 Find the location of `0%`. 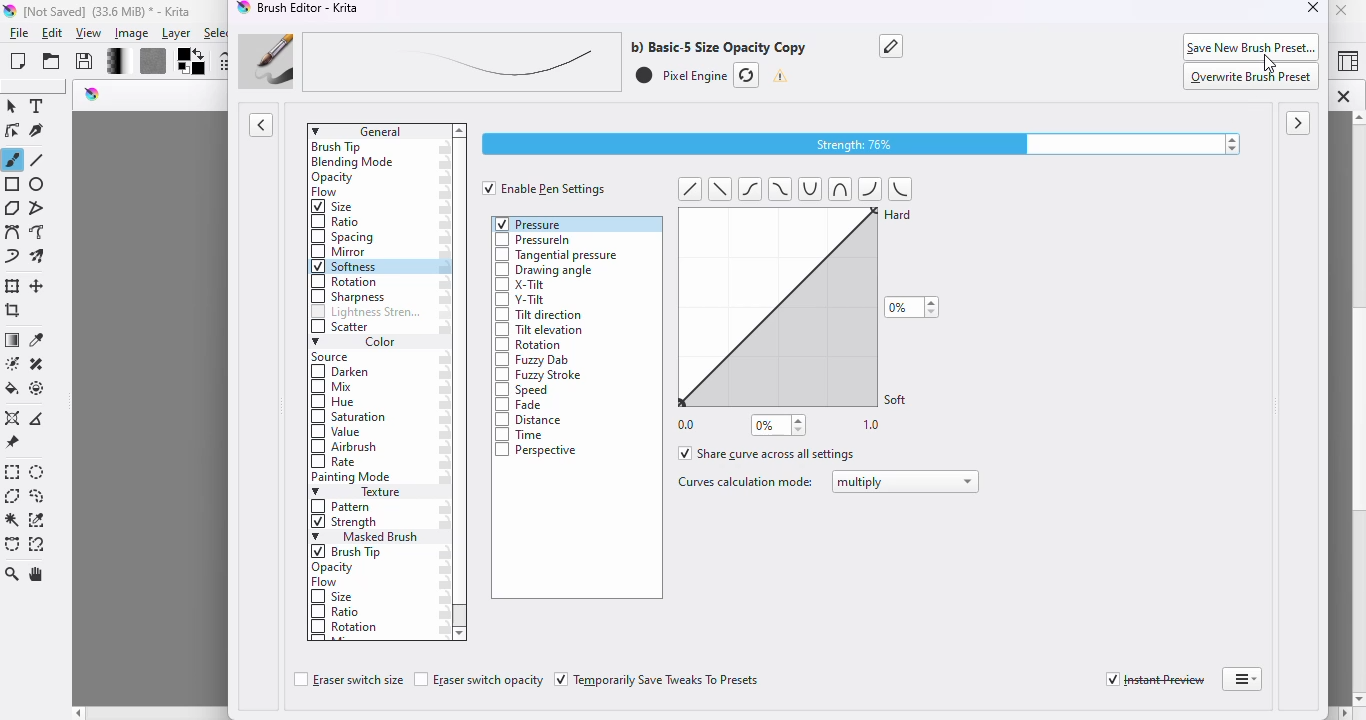

0% is located at coordinates (779, 425).